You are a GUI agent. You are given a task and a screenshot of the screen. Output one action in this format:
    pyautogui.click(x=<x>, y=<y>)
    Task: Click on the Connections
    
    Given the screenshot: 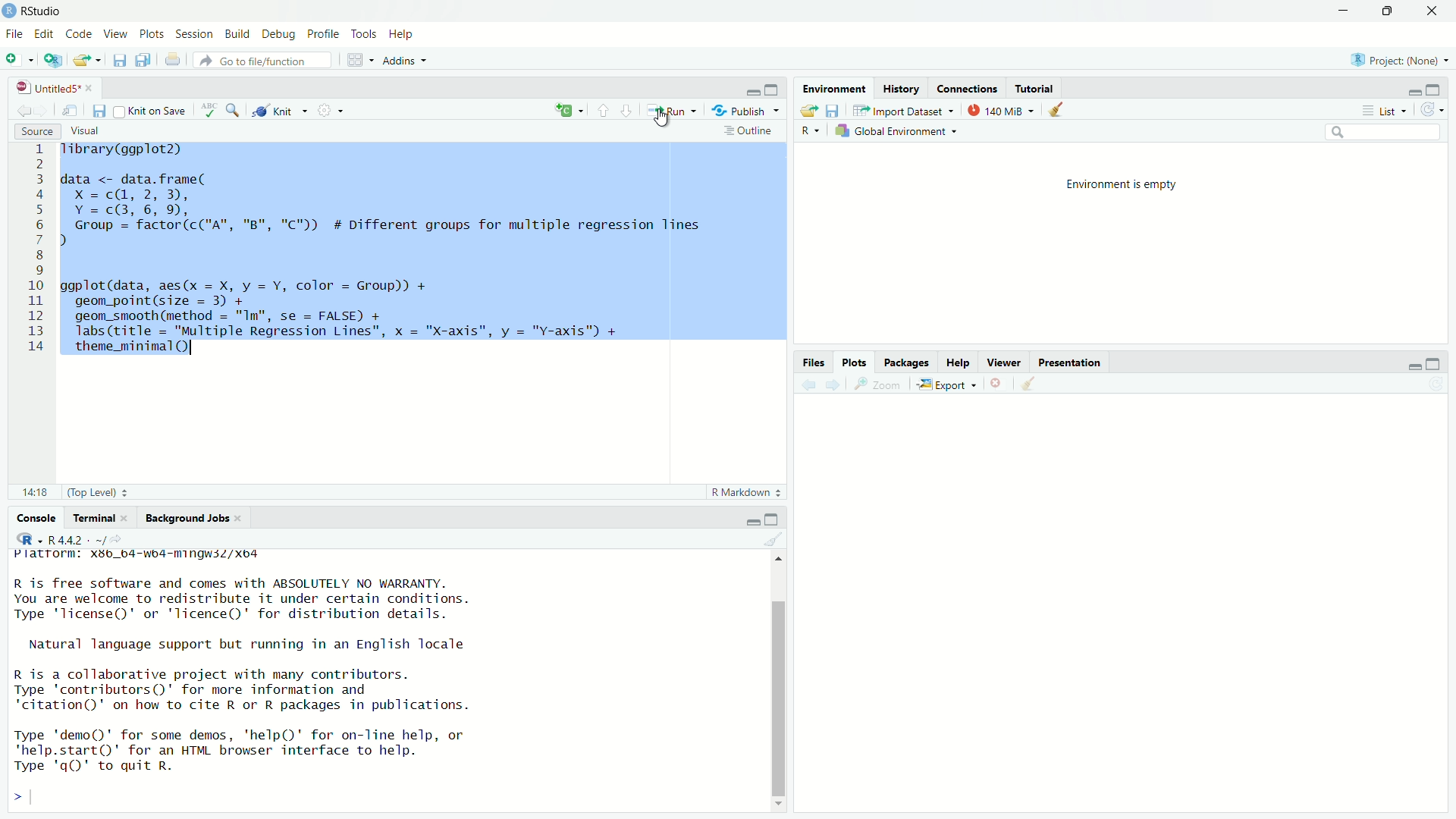 What is the action you would take?
    pyautogui.click(x=968, y=90)
    